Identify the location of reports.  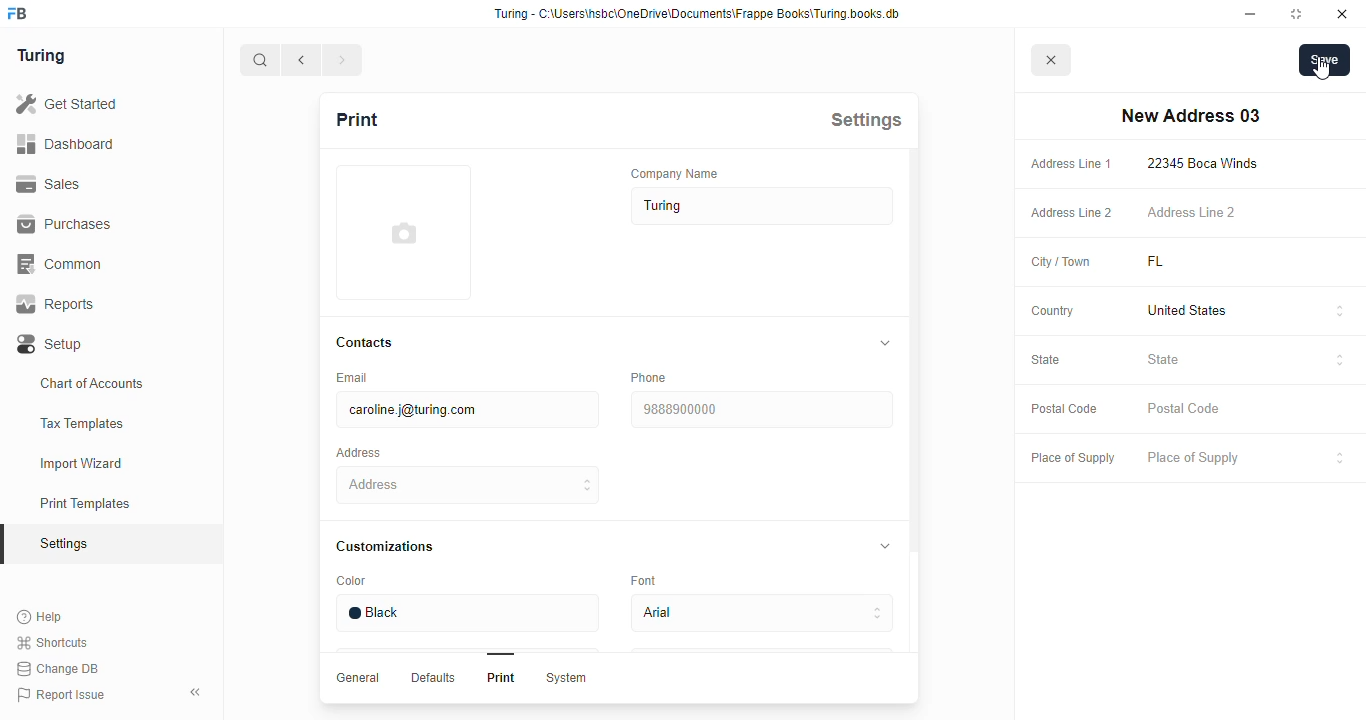
(56, 304).